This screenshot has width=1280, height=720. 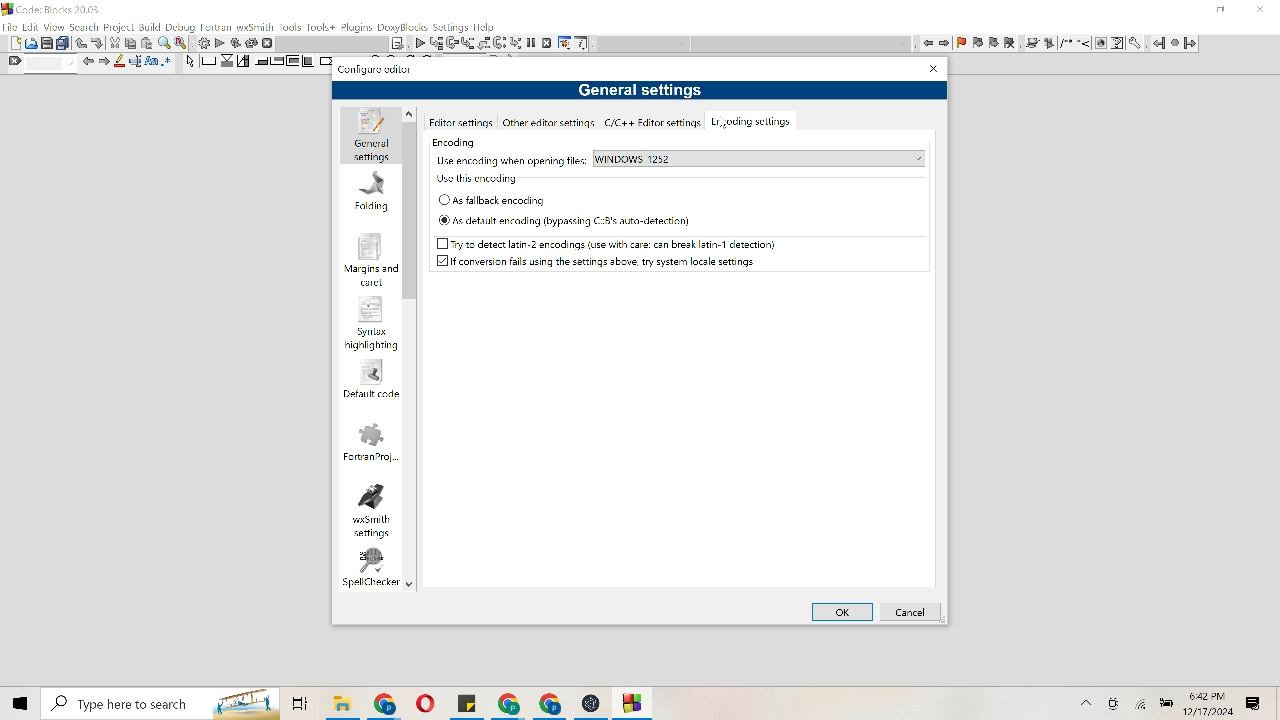 I want to click on Camera, so click(x=1116, y=703).